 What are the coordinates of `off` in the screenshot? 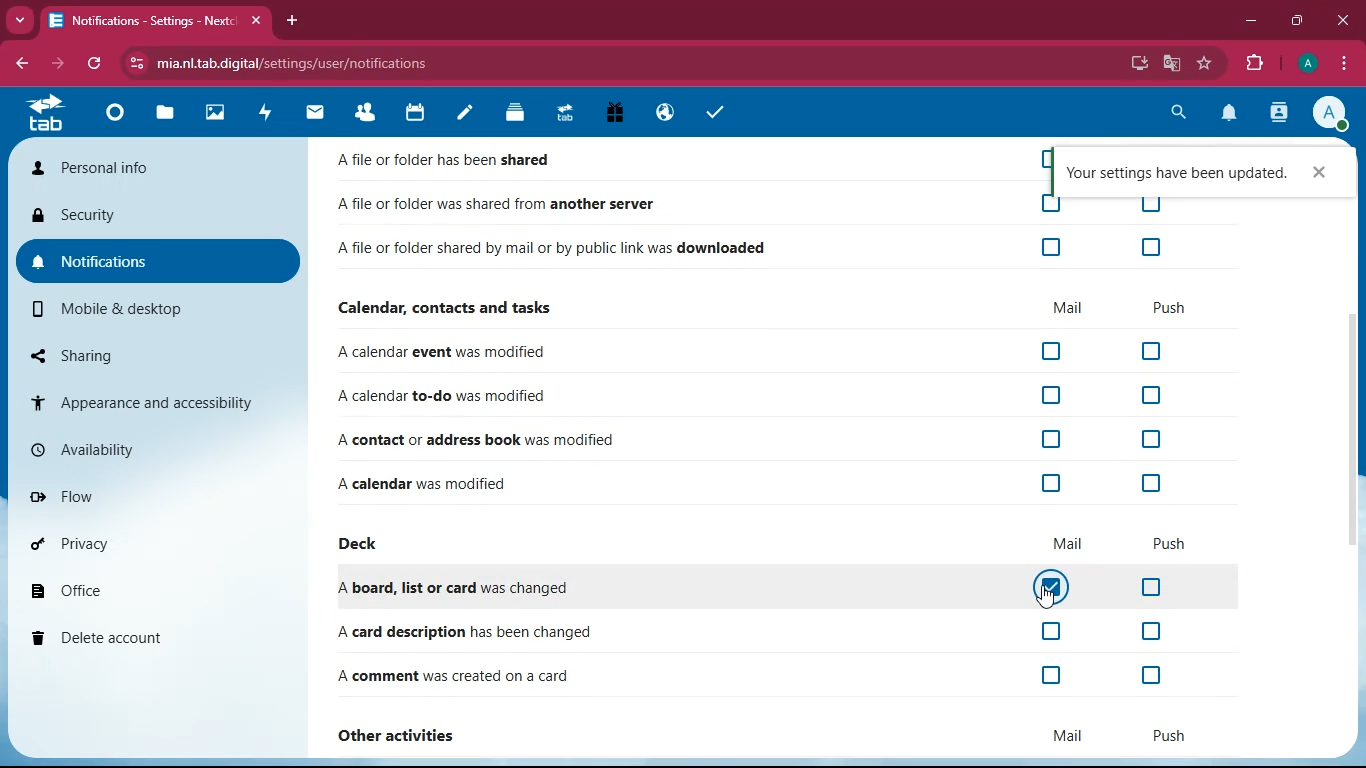 It's located at (1151, 392).